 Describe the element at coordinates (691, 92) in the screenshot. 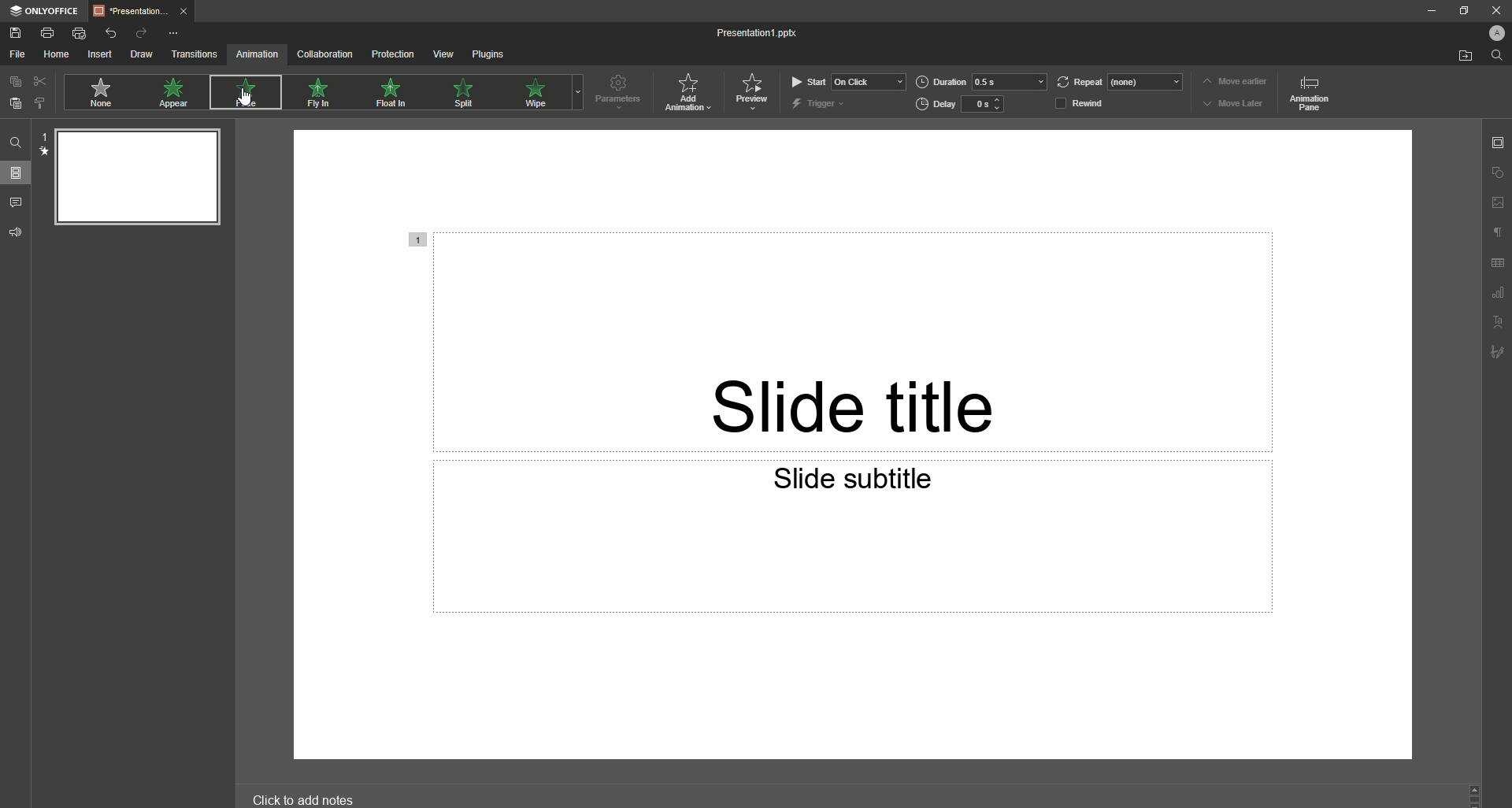

I see `Add Animation` at that location.